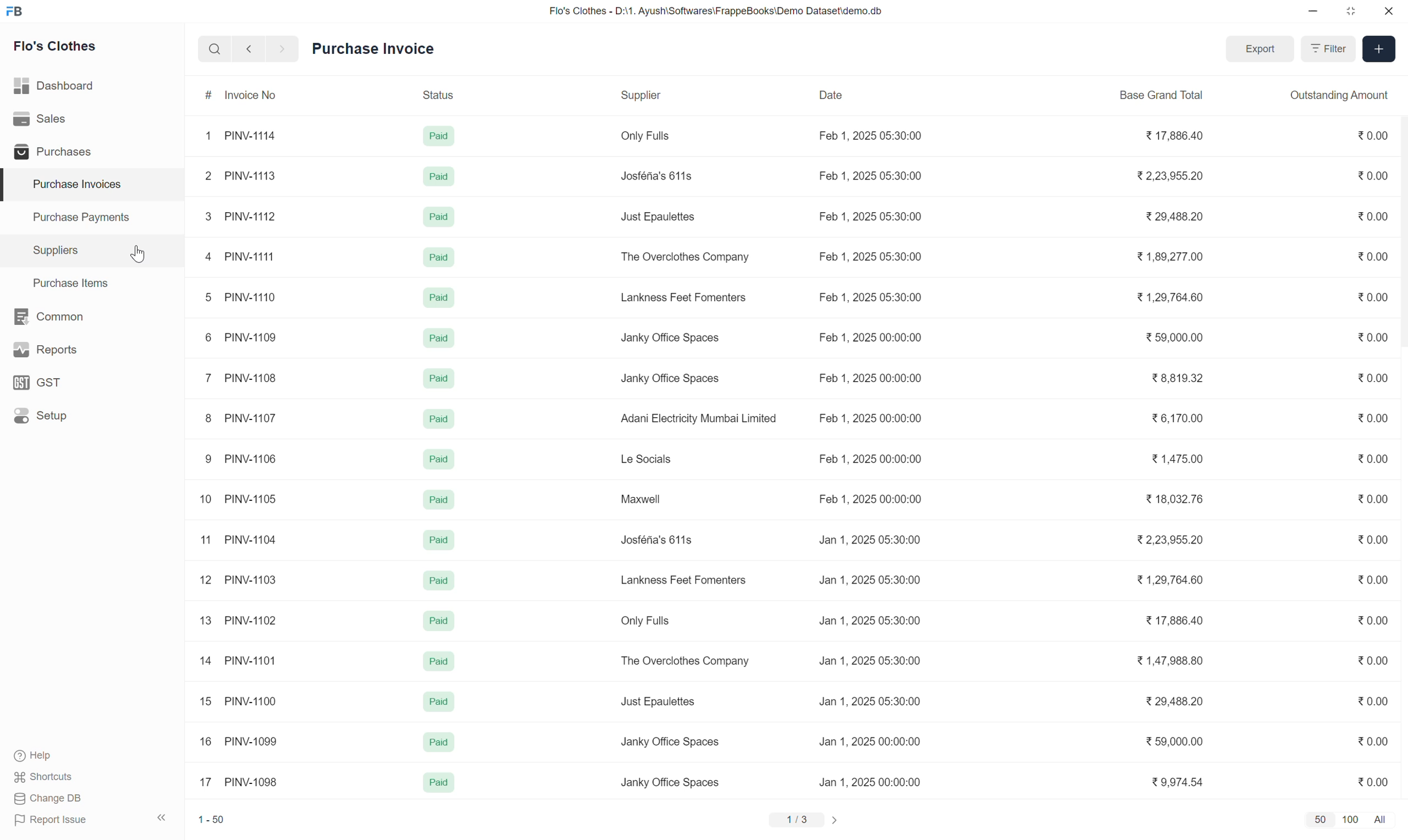 The width and height of the screenshot is (1408, 840). I want to click on Feb 1, 2025 00:00:00, so click(871, 459).